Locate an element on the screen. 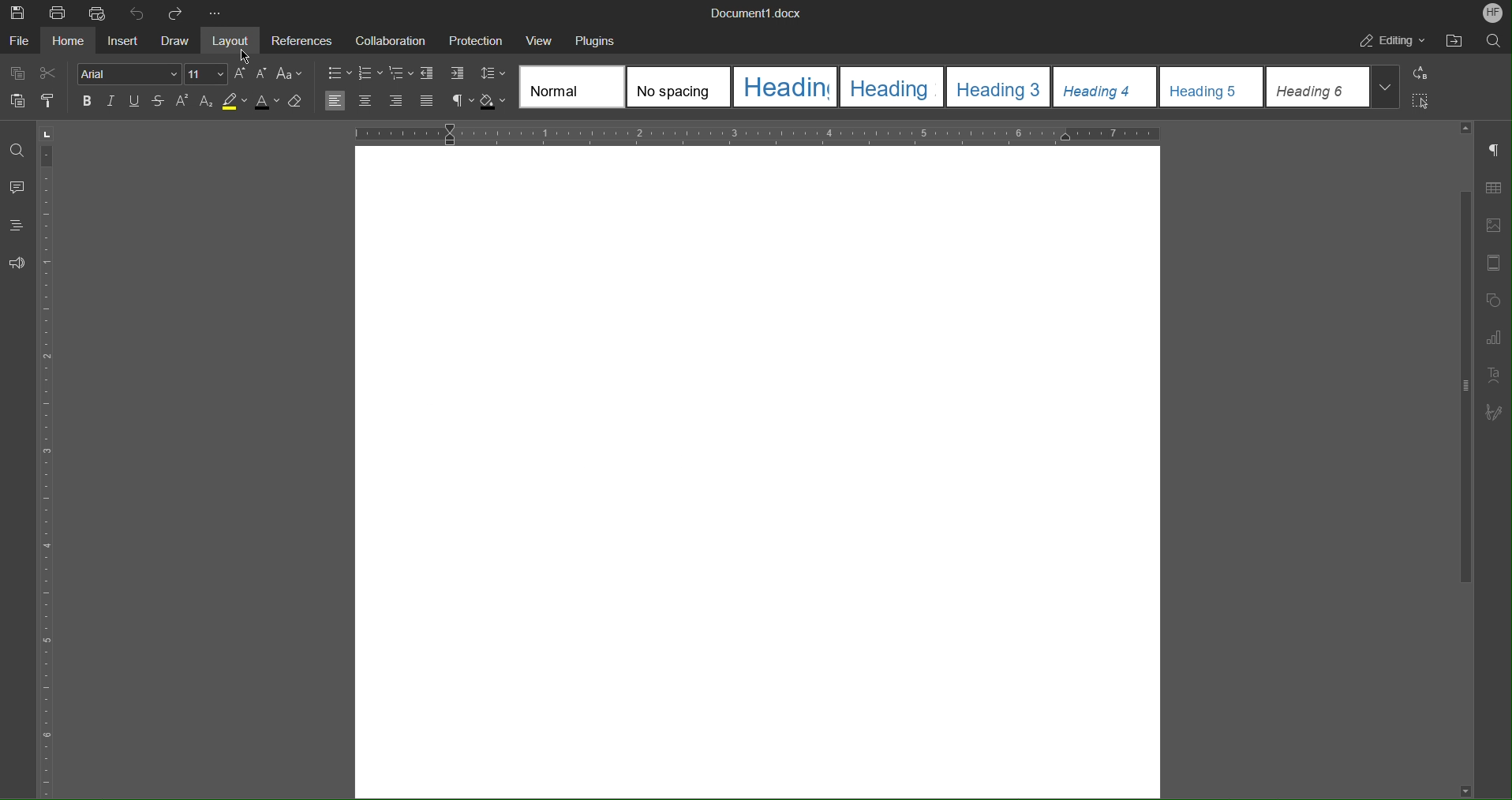  Find is located at coordinates (16, 150).